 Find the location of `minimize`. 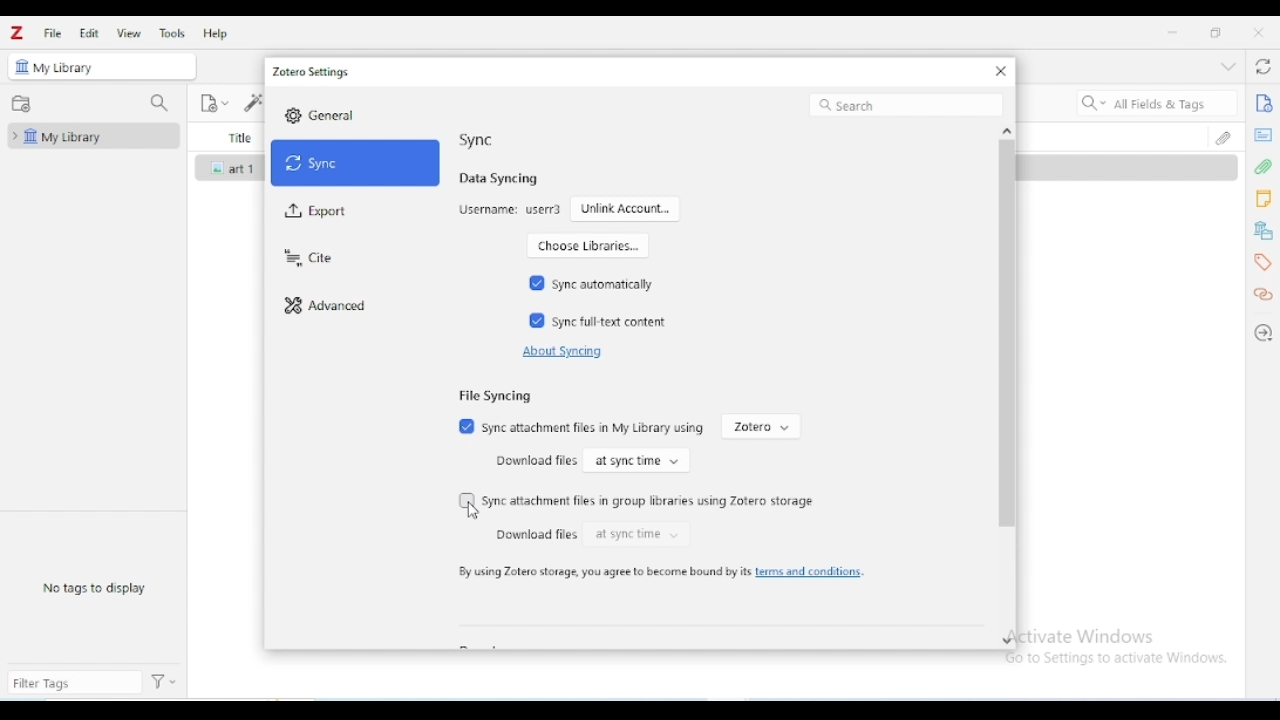

minimize is located at coordinates (1173, 33).